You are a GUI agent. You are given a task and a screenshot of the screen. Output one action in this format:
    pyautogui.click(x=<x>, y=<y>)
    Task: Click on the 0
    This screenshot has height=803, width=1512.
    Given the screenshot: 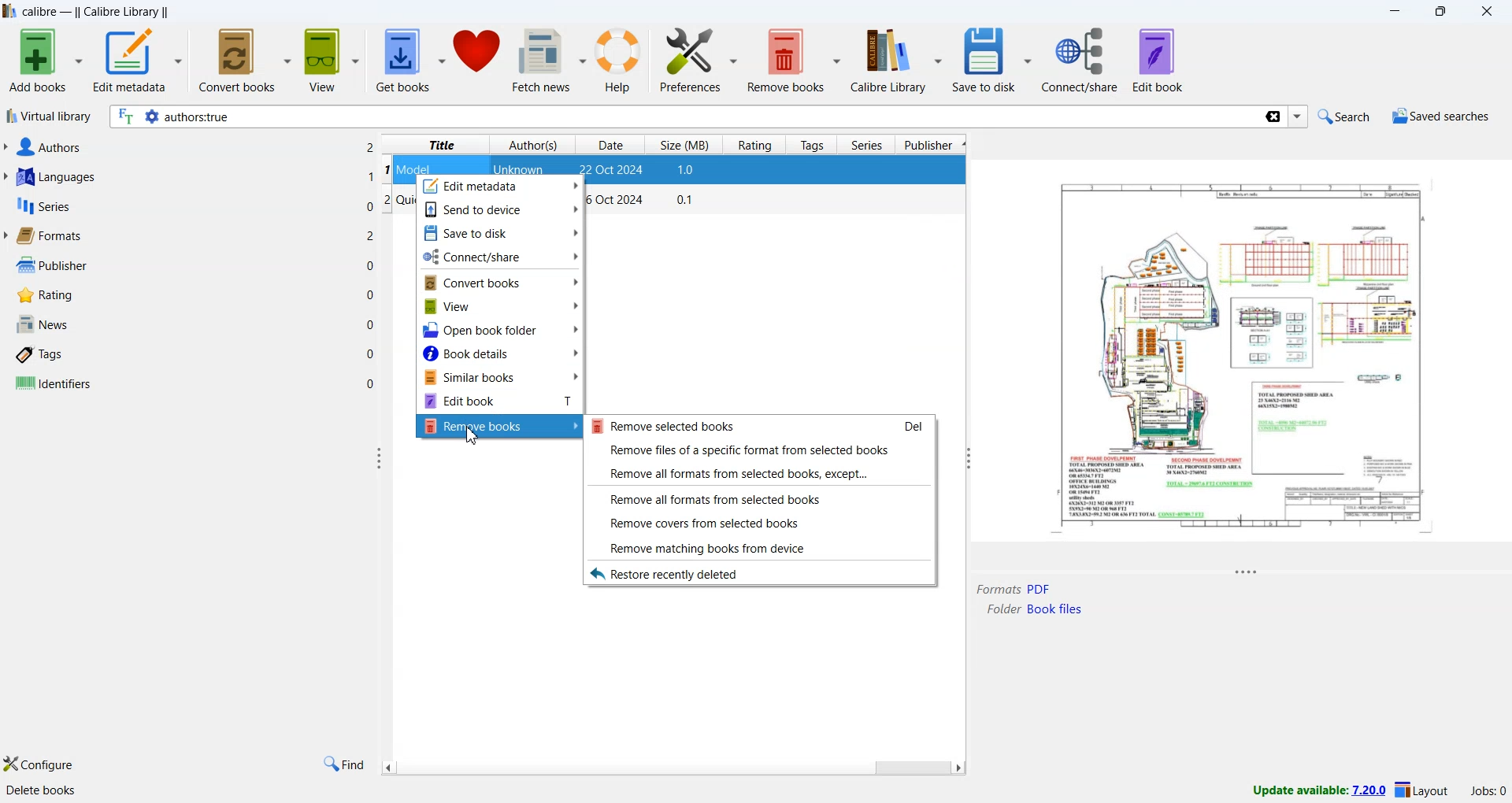 What is the action you would take?
    pyautogui.click(x=371, y=353)
    